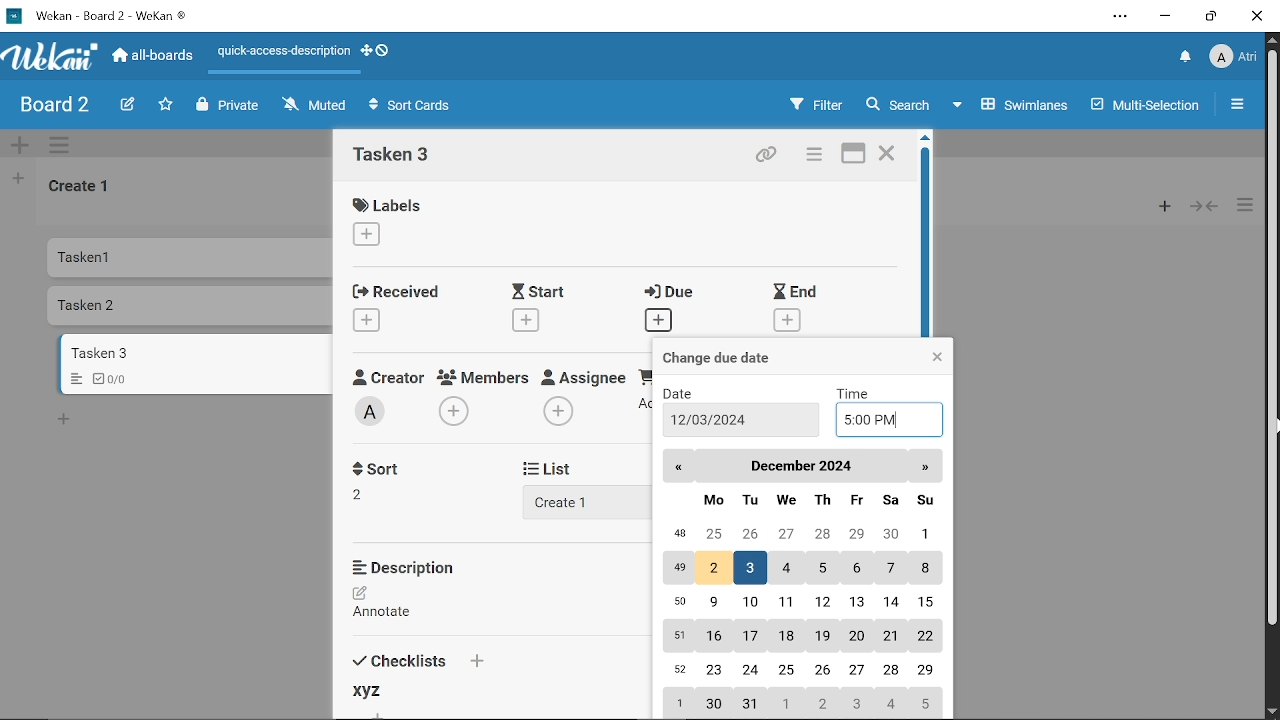  What do you see at coordinates (394, 290) in the screenshot?
I see `Received` at bounding box center [394, 290].